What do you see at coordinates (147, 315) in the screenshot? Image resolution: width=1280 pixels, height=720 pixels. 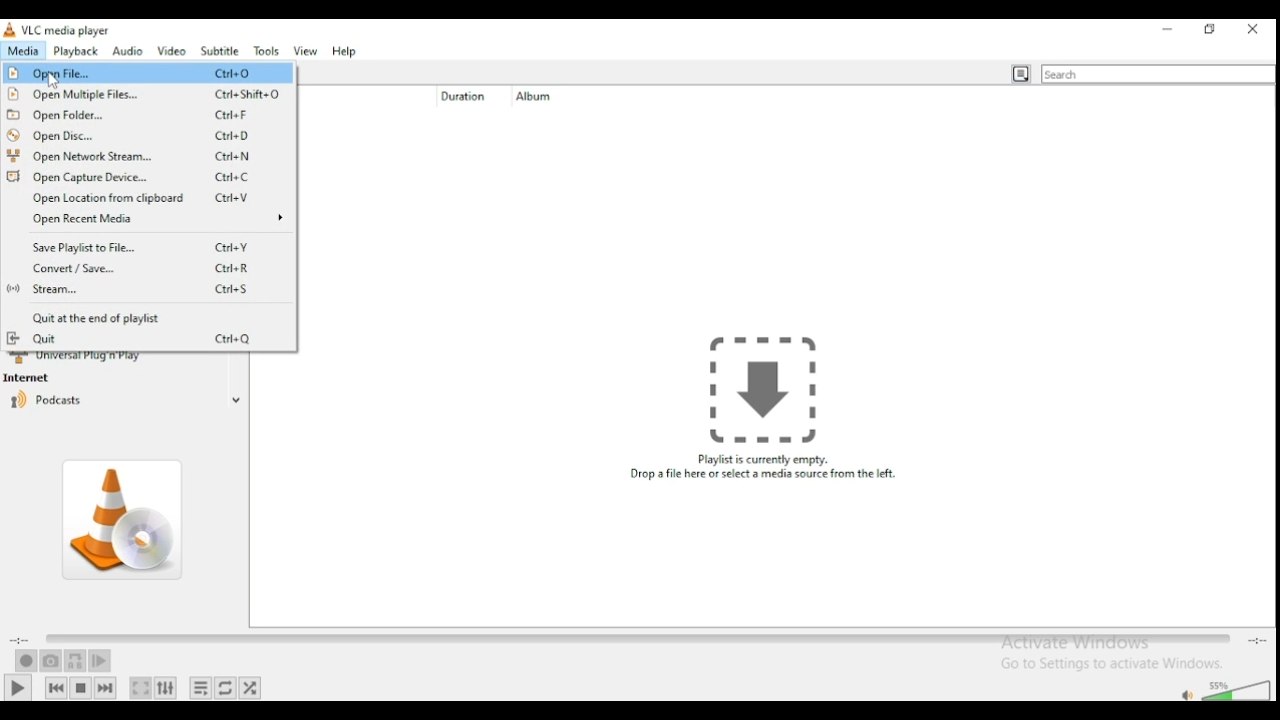 I see `quit at the end of the playlist` at bounding box center [147, 315].